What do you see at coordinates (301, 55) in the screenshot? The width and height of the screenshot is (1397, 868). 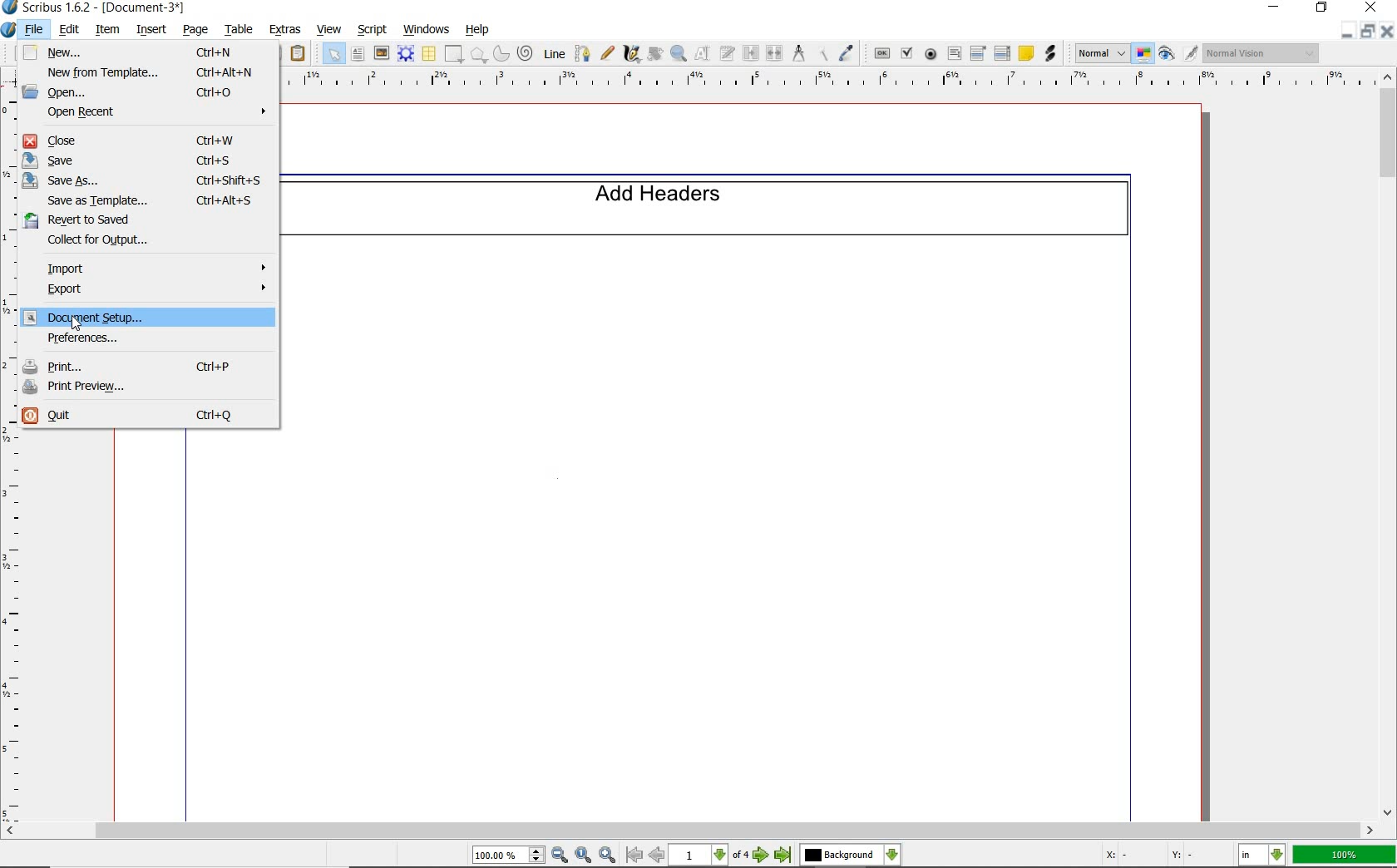 I see `paste` at bounding box center [301, 55].